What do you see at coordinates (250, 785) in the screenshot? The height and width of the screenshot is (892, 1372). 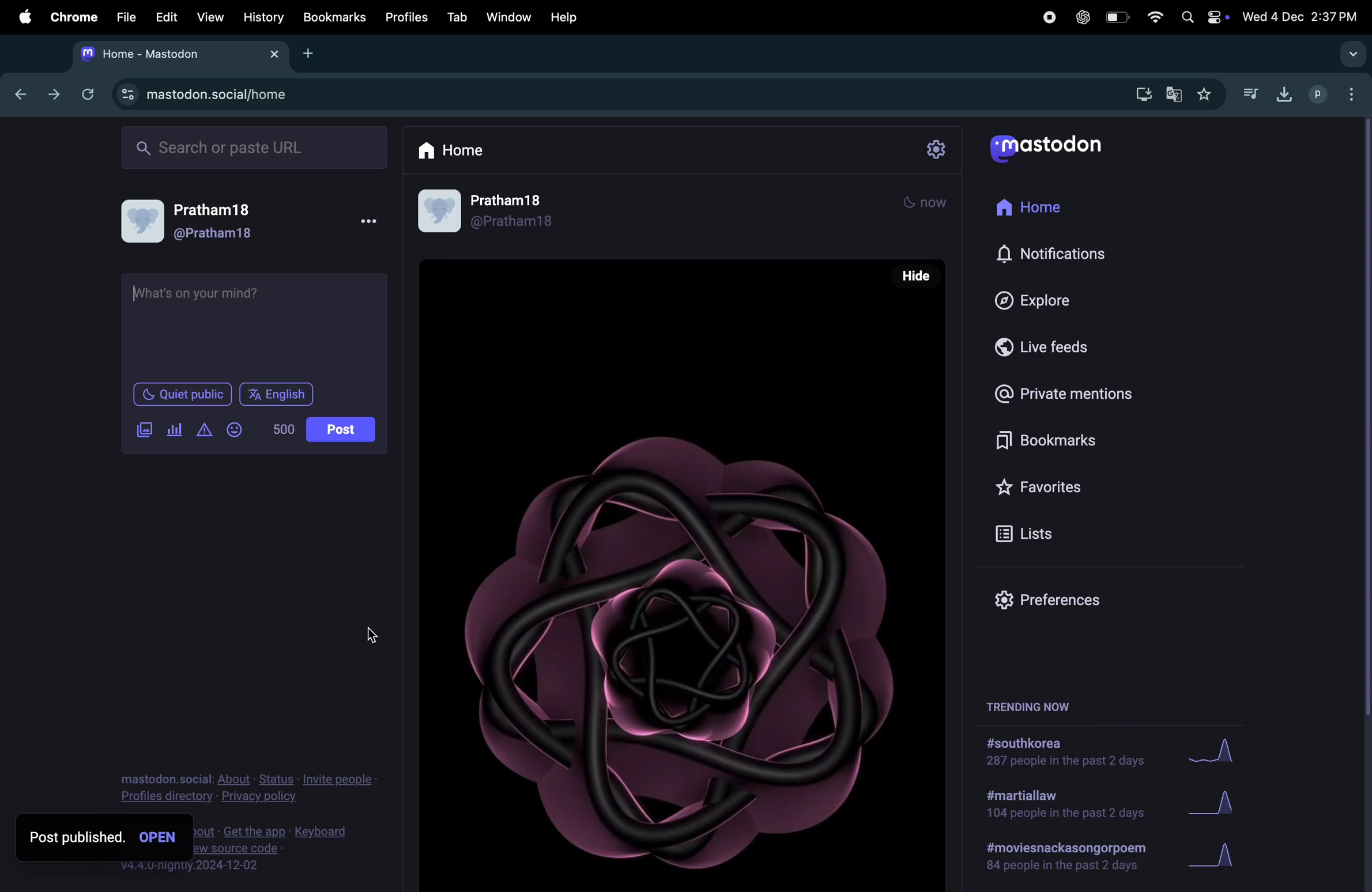 I see `privacy policiy` at bounding box center [250, 785].